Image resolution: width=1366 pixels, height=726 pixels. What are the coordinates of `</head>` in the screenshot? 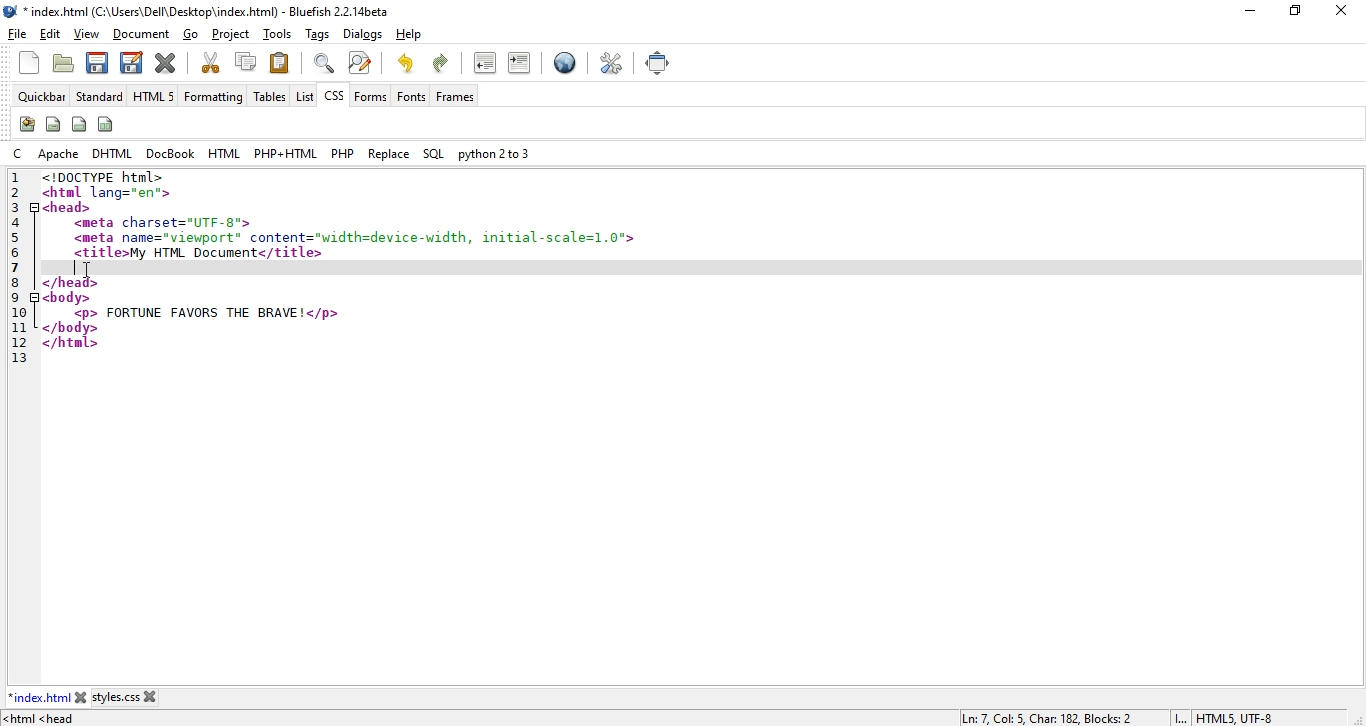 It's located at (71, 282).